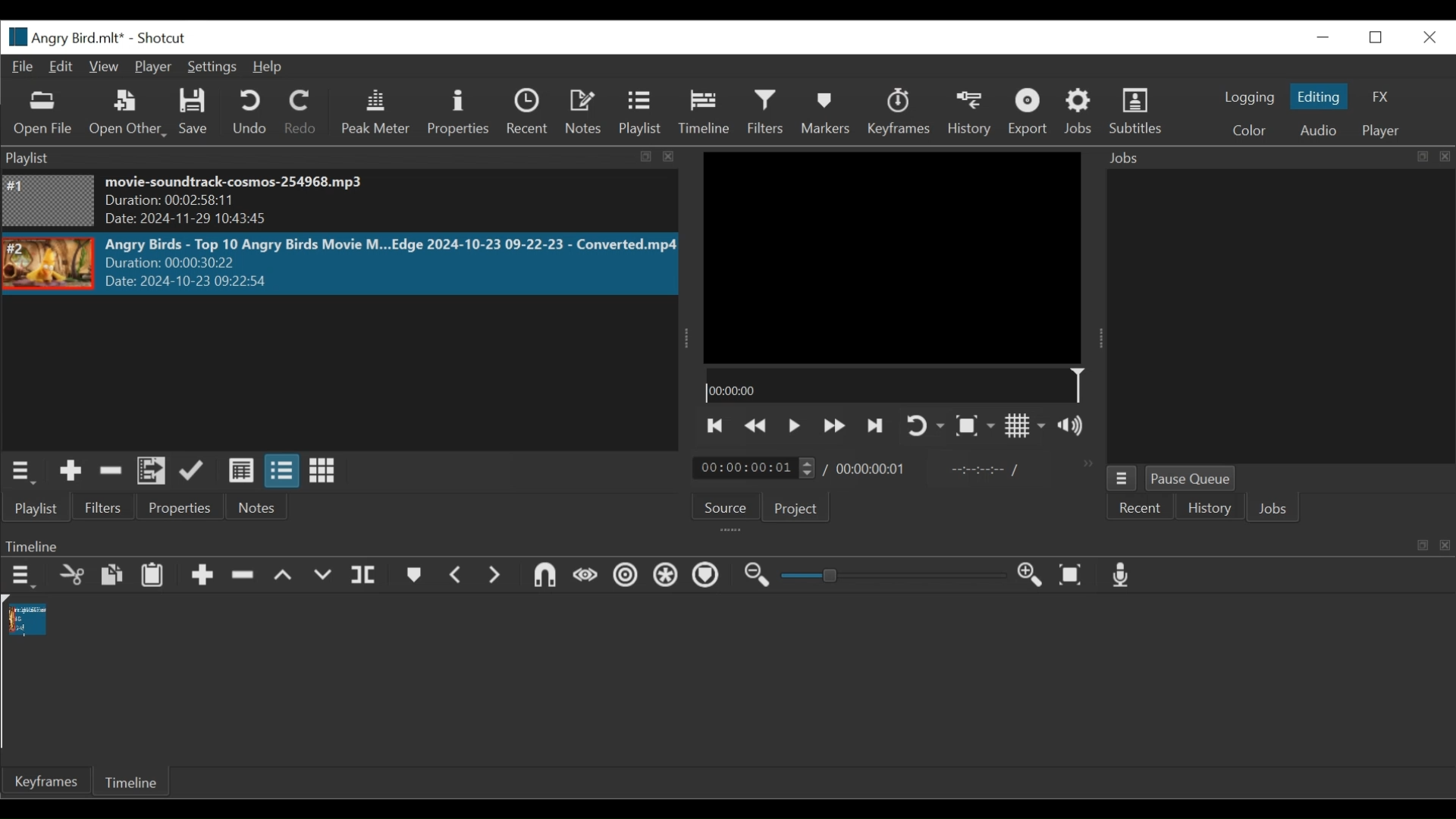  Describe the element at coordinates (877, 426) in the screenshot. I see `Skip to the next point` at that location.